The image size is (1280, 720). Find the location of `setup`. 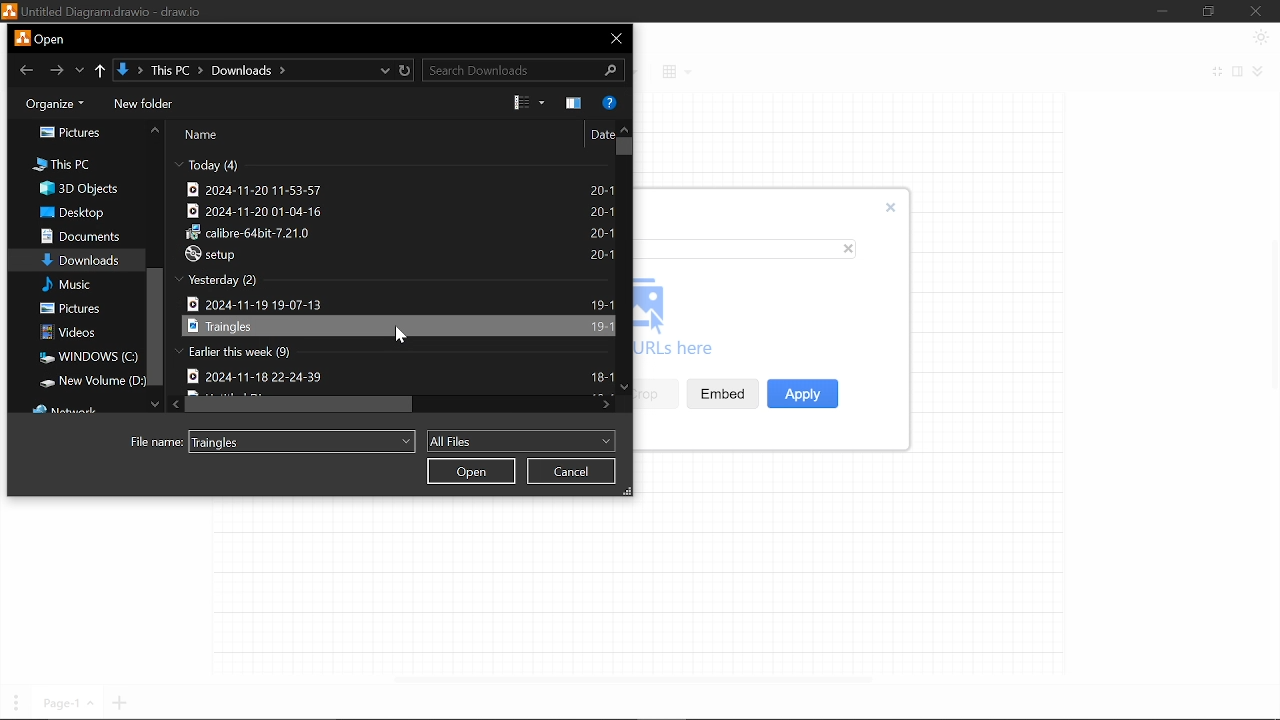

setup is located at coordinates (219, 254).